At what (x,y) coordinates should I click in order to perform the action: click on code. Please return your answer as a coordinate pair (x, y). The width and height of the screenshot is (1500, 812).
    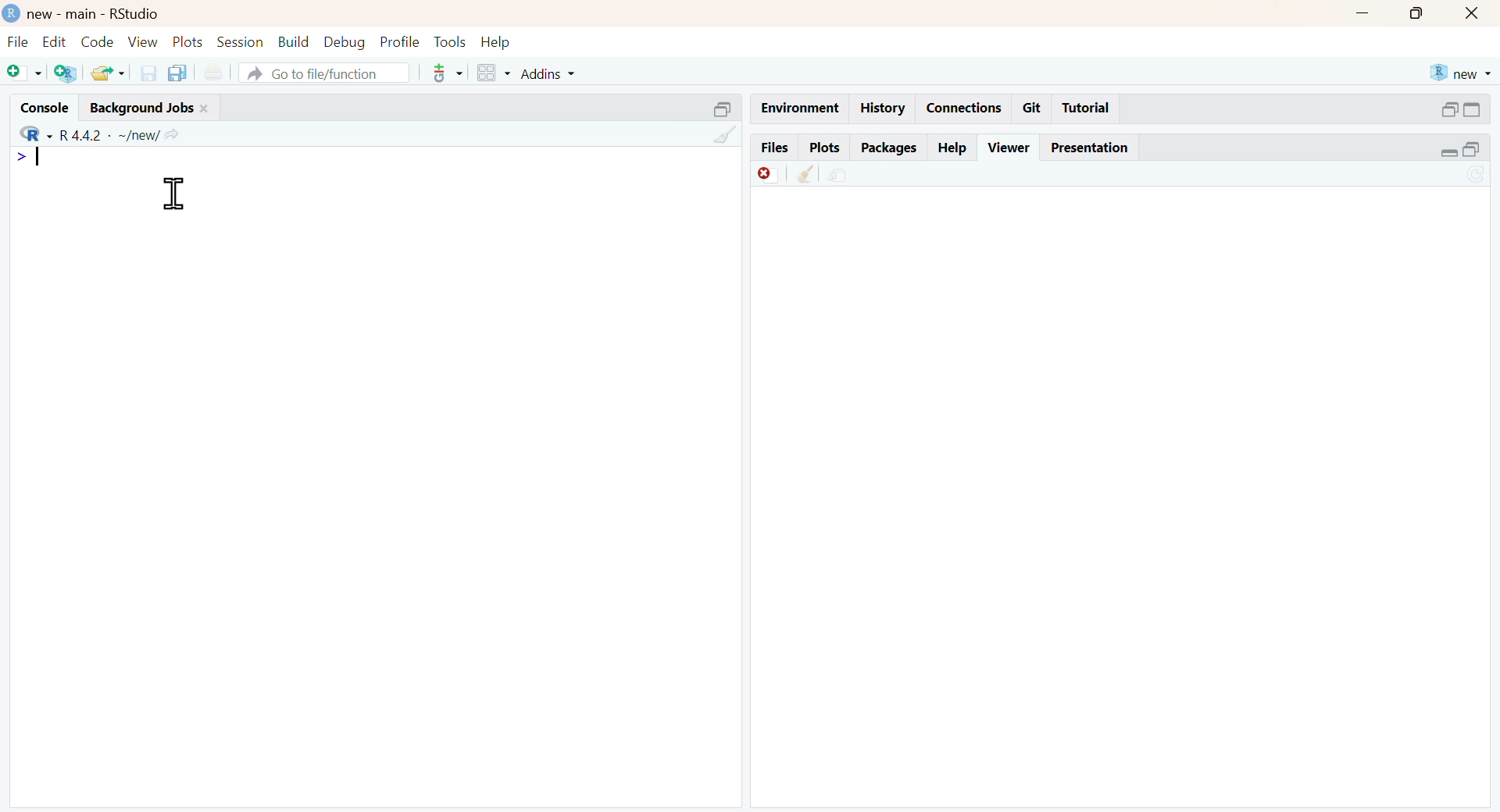
    Looking at the image, I should click on (98, 41).